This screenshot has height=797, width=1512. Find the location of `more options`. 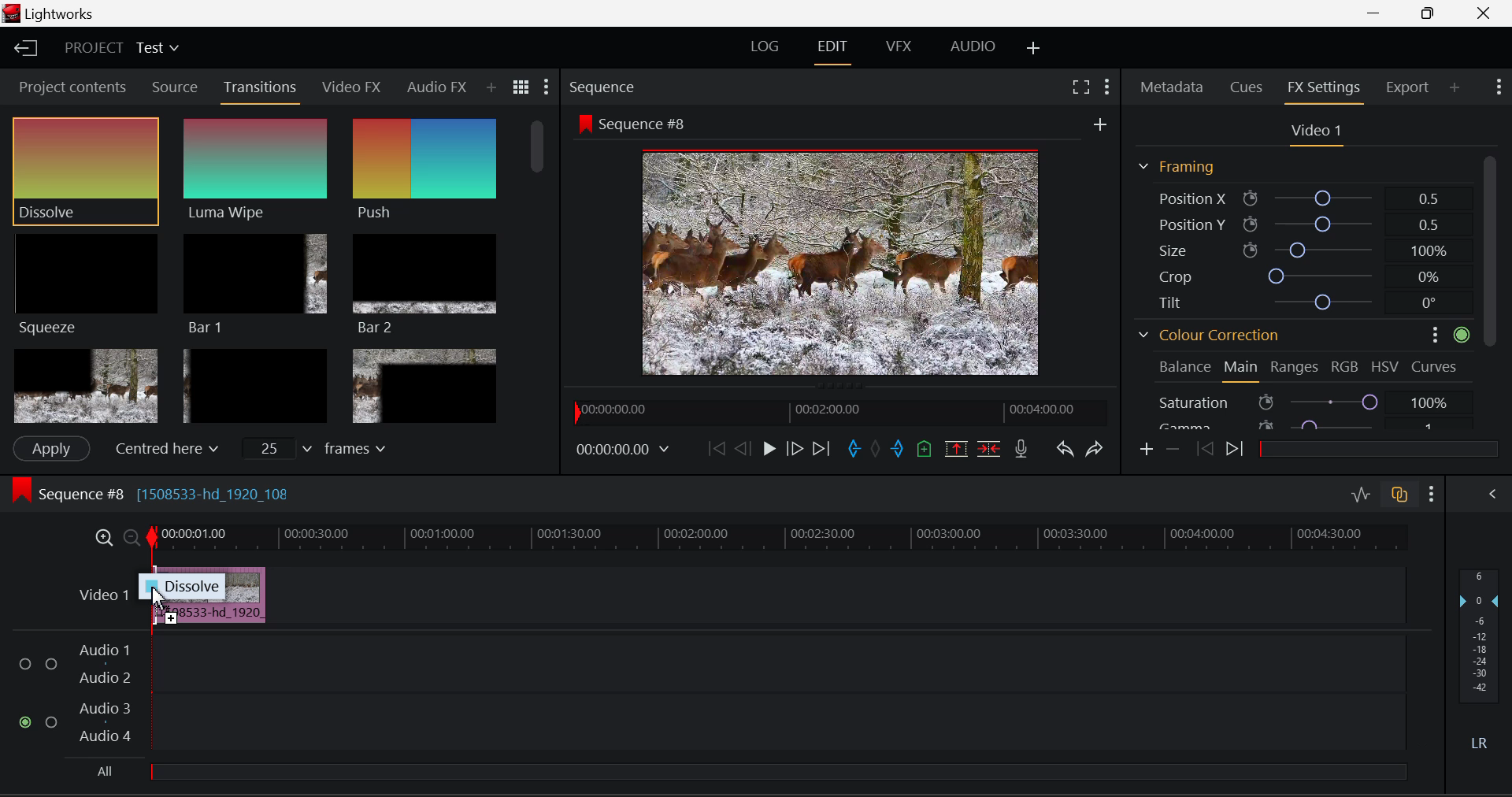

more options is located at coordinates (1429, 334).